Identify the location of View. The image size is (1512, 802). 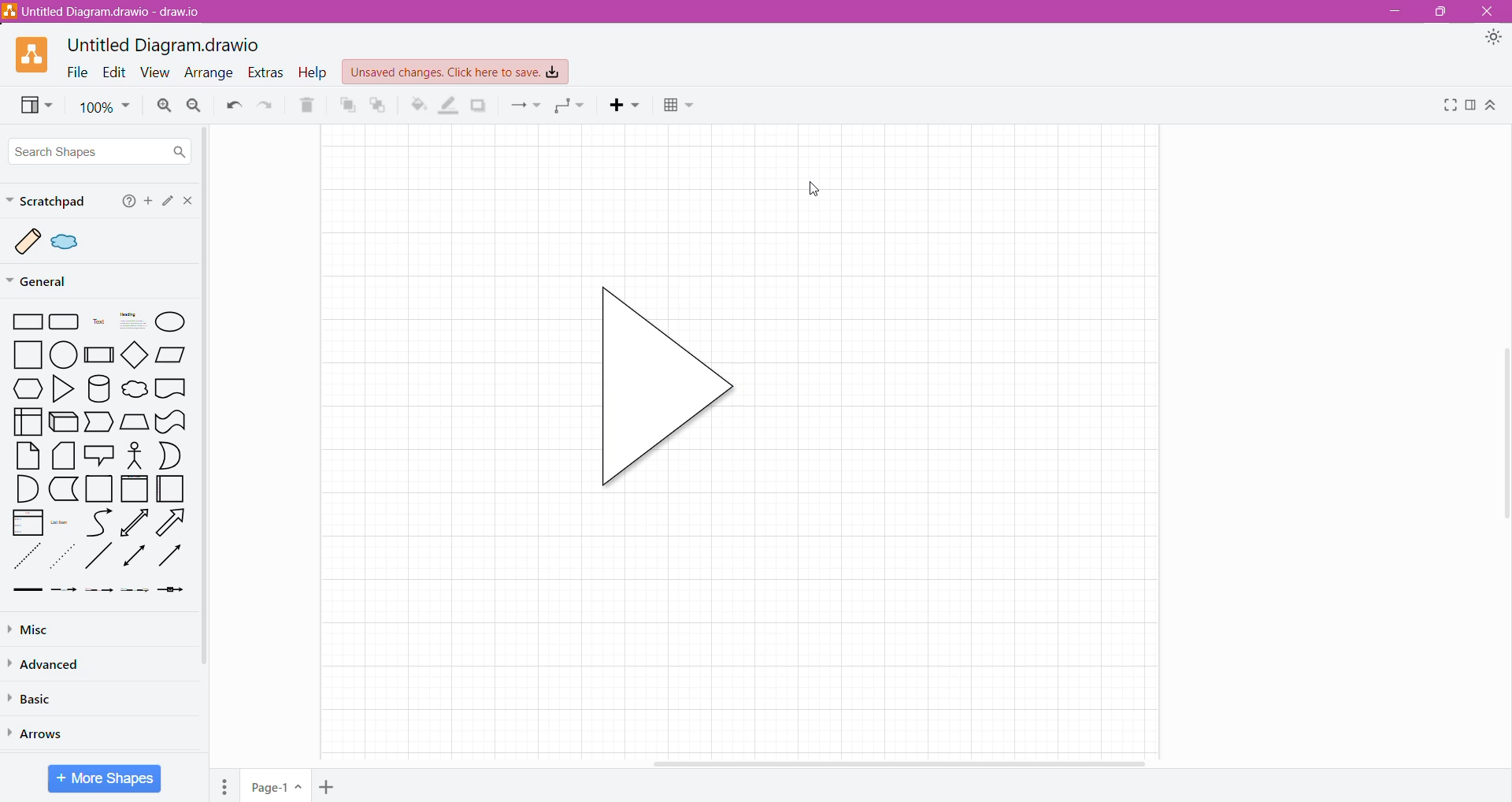
(29, 106).